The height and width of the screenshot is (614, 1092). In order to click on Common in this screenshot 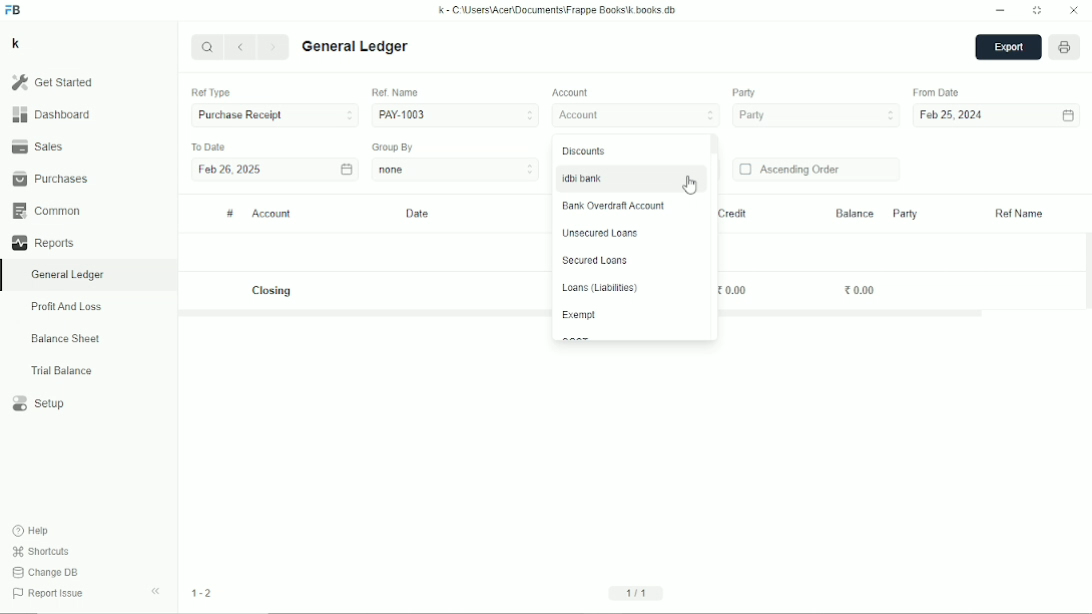, I will do `click(46, 211)`.